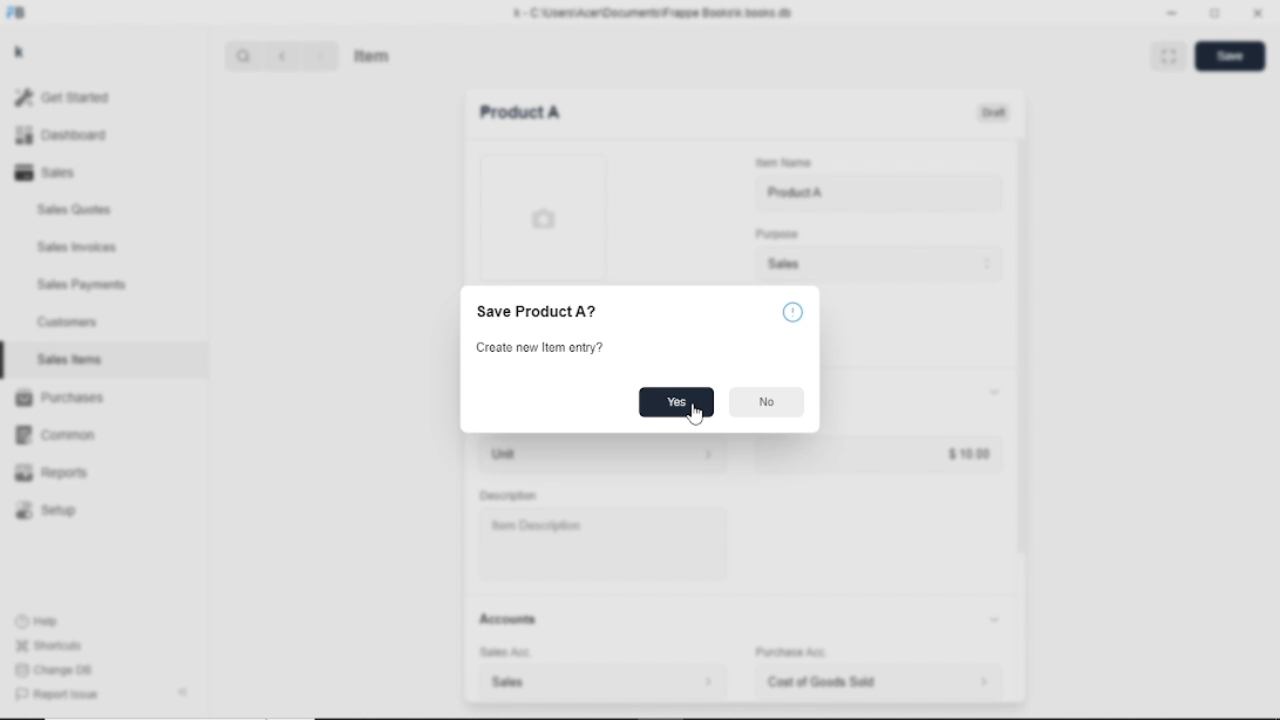 Image resolution: width=1280 pixels, height=720 pixels. Describe the element at coordinates (59, 397) in the screenshot. I see `Purchases` at that location.